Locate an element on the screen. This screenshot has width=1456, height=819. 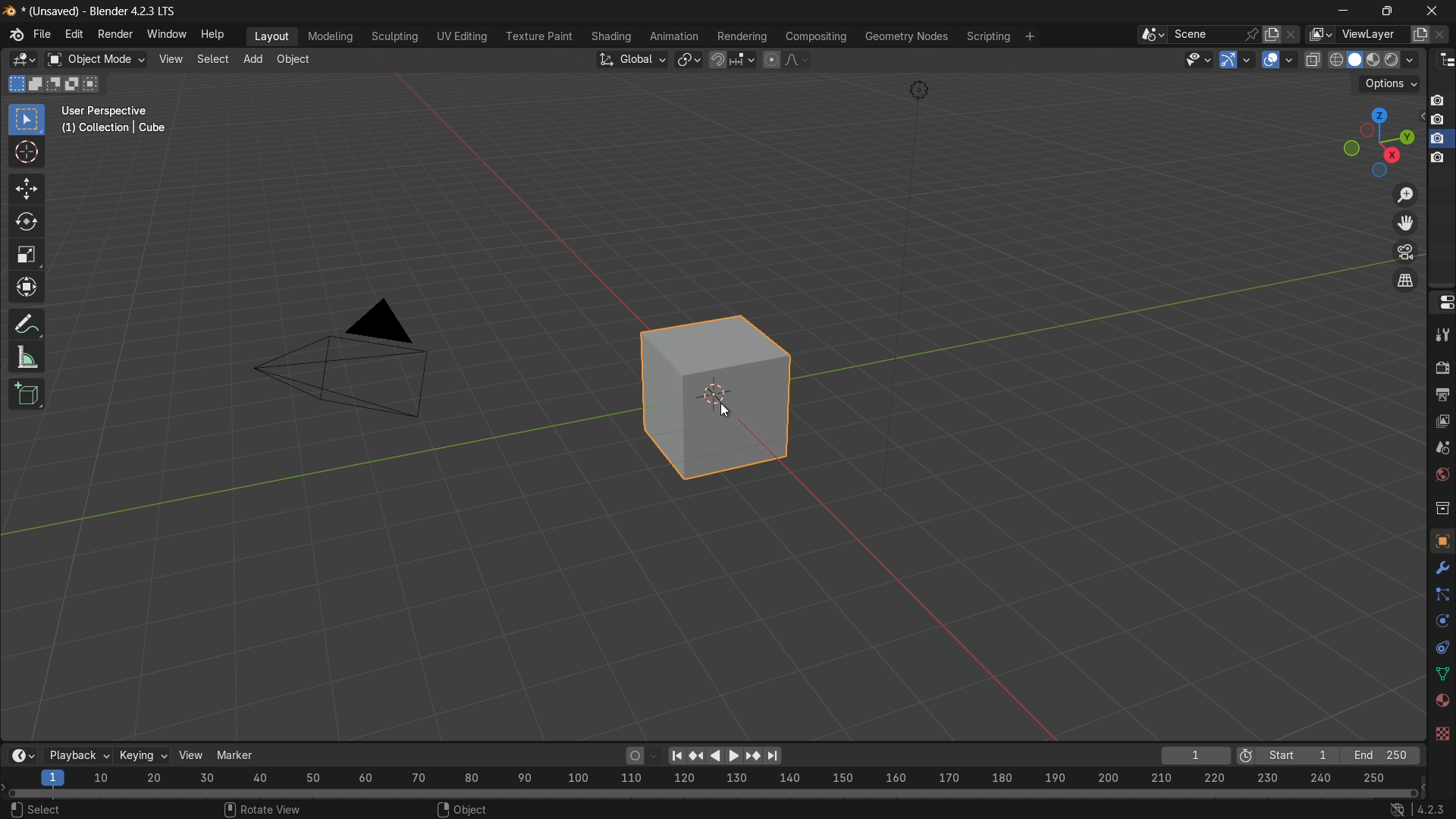
output is located at coordinates (1442, 394).